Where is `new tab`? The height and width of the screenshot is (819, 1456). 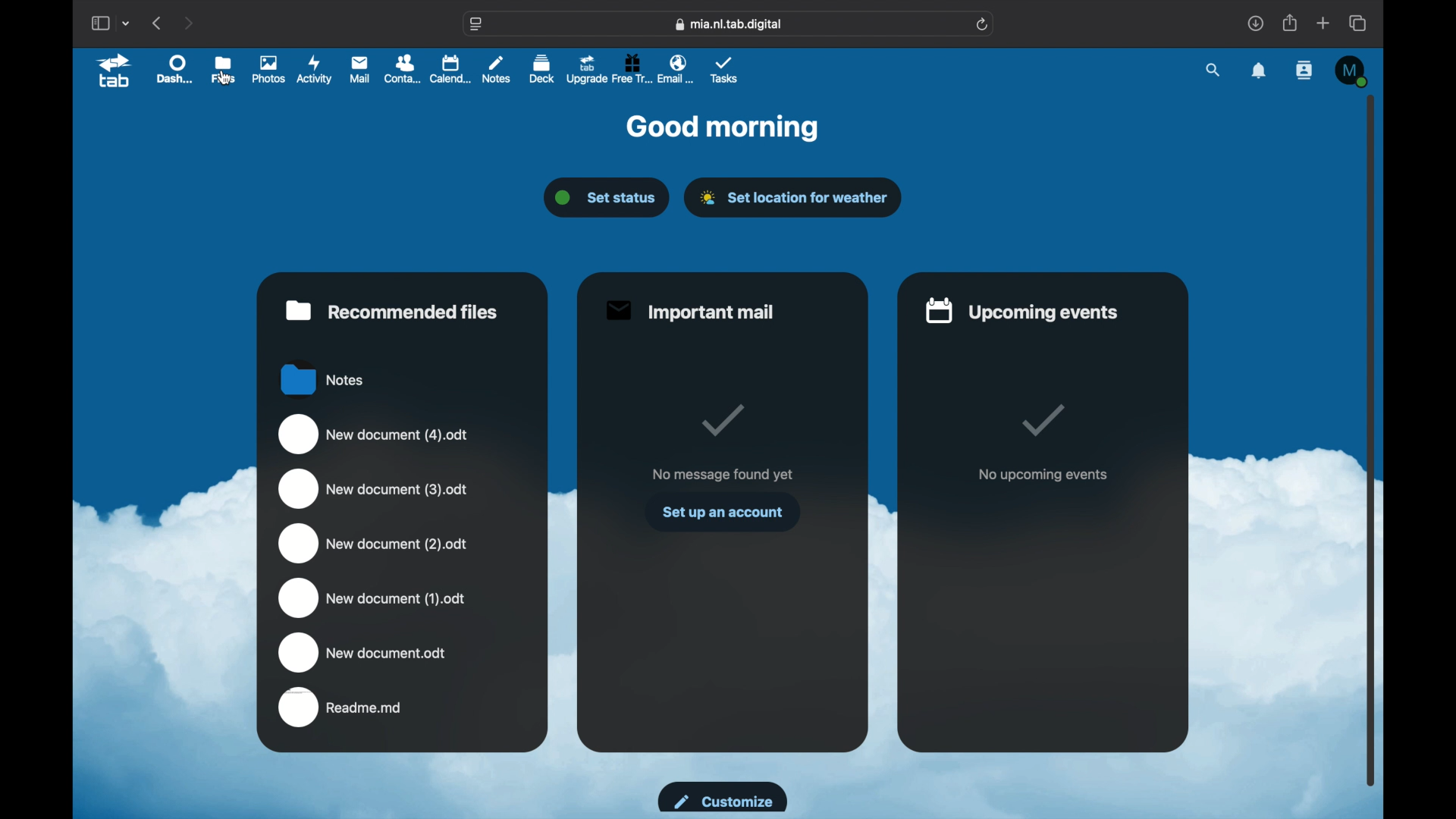 new tab is located at coordinates (1323, 23).